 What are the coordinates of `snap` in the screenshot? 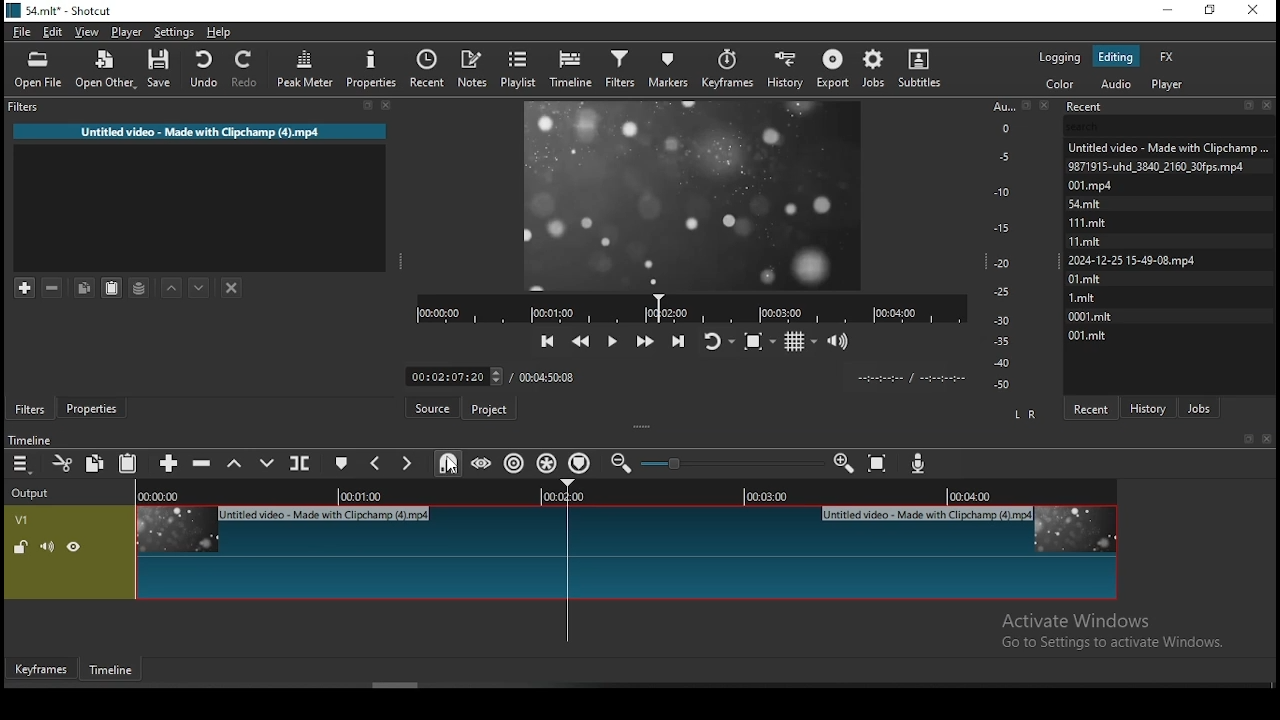 It's located at (449, 463).